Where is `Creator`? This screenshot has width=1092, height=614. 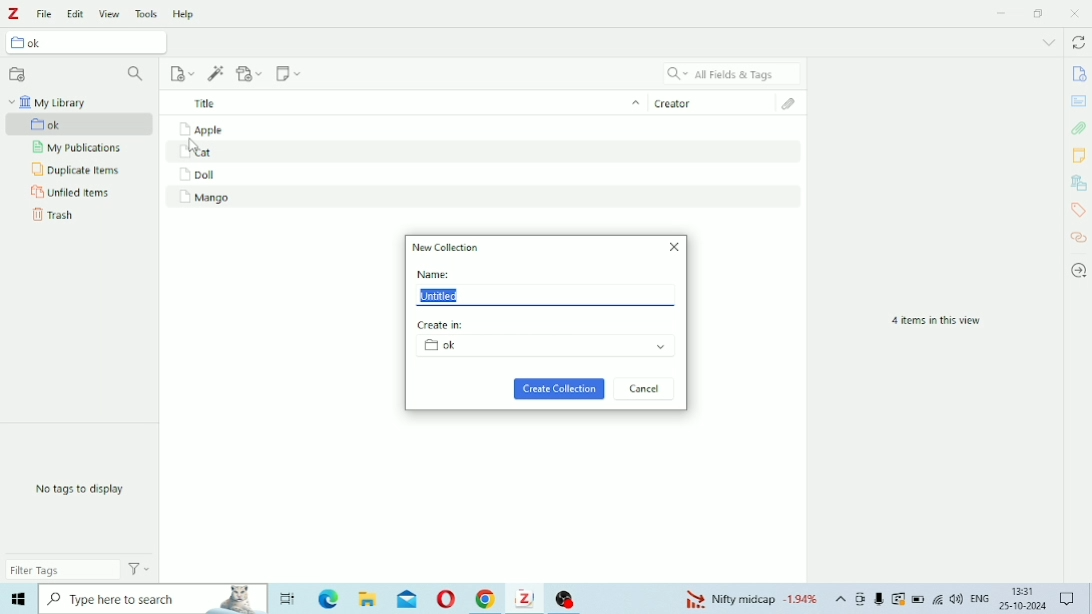
Creator is located at coordinates (713, 101).